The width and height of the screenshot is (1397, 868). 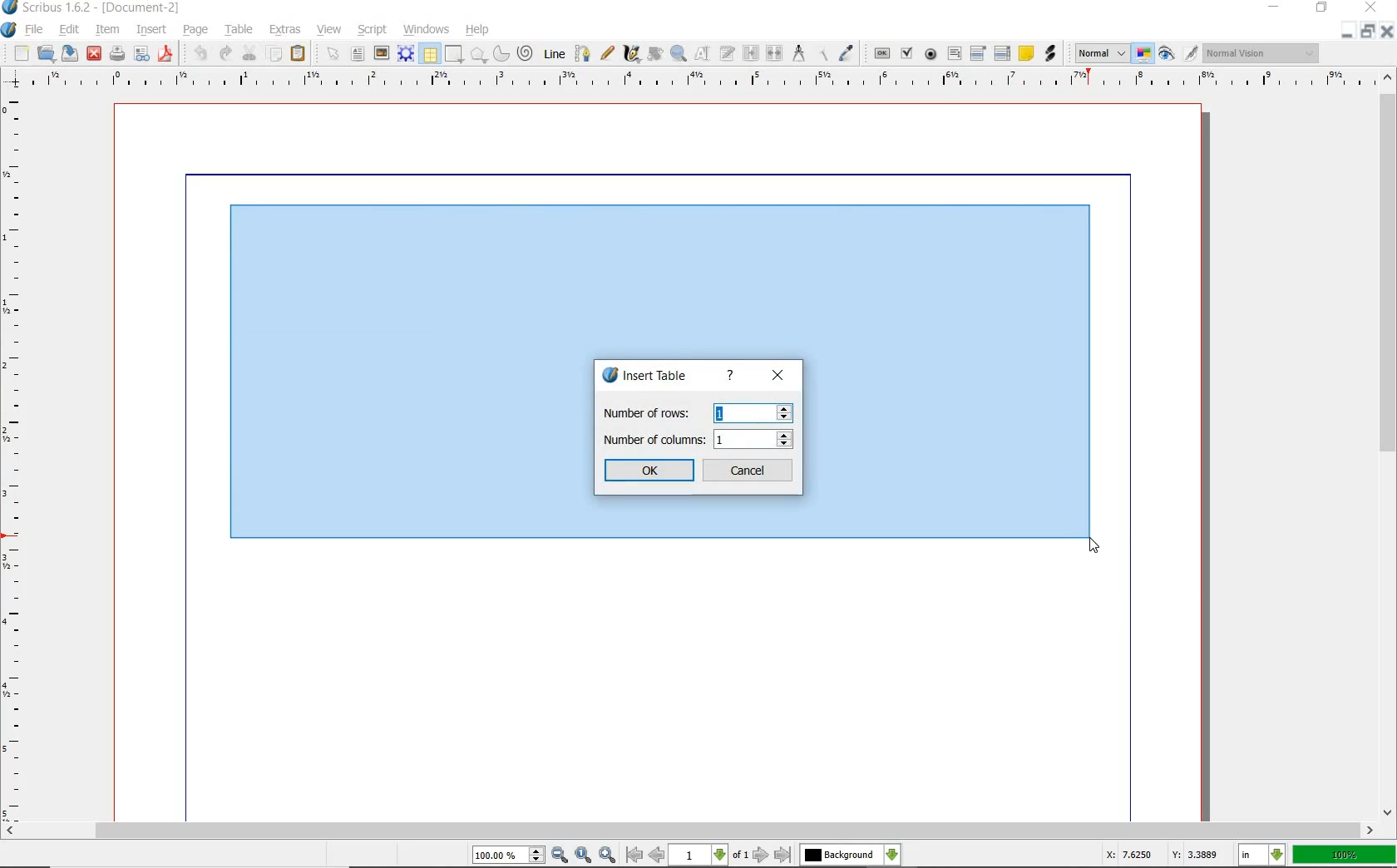 What do you see at coordinates (731, 375) in the screenshot?
I see `help` at bounding box center [731, 375].